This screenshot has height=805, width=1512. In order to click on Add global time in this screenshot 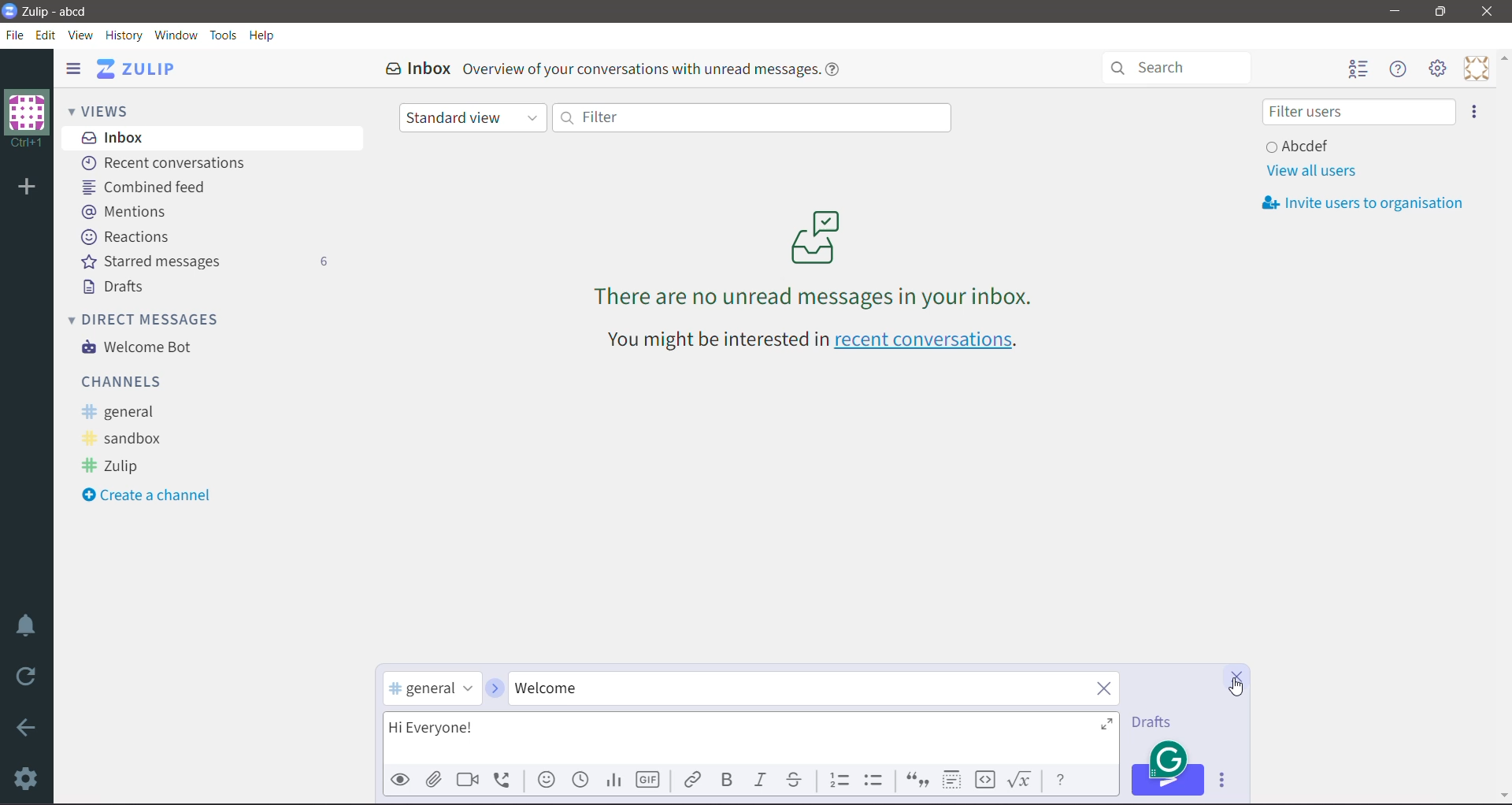, I will do `click(582, 780)`.